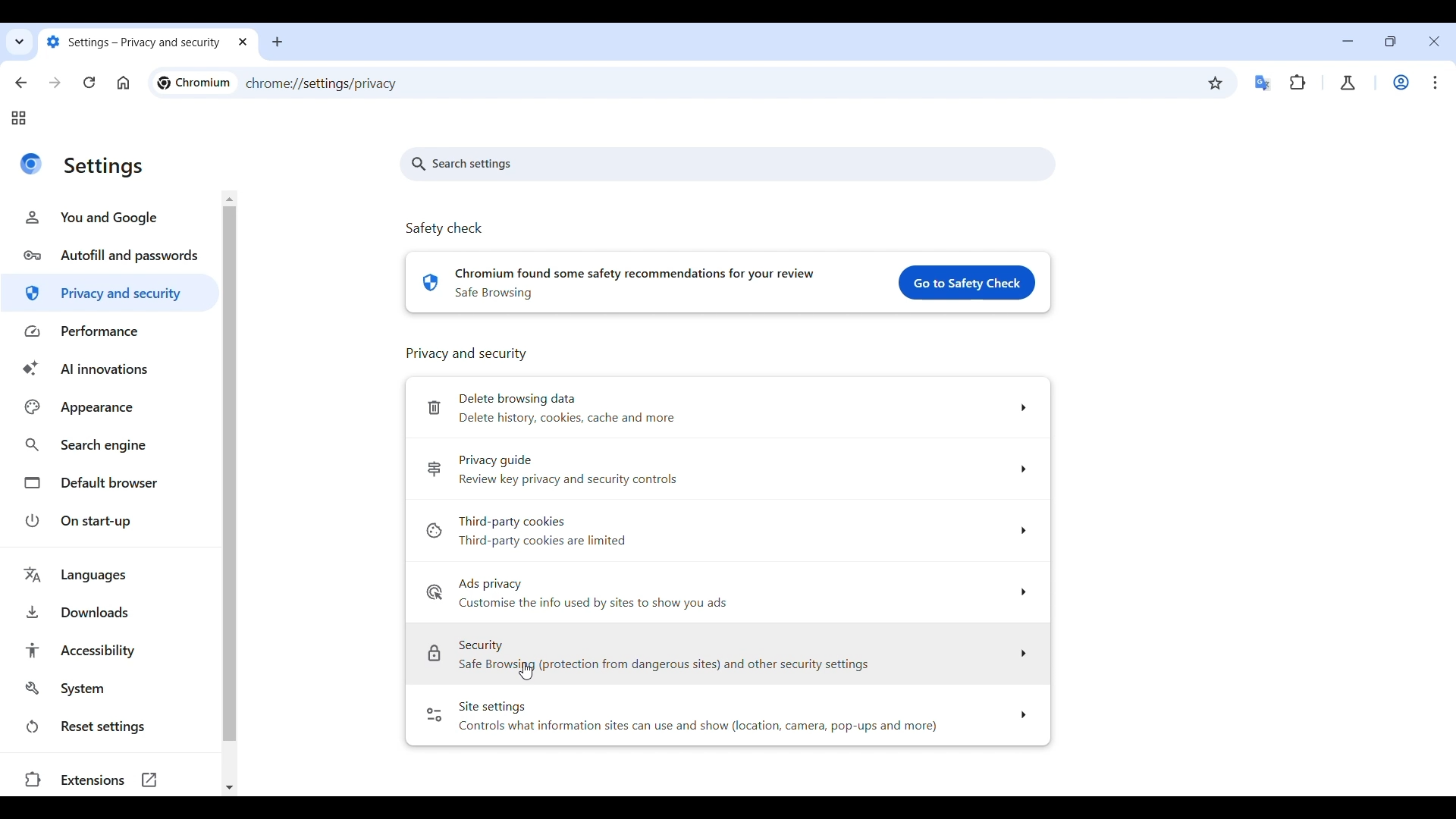  Describe the element at coordinates (104, 167) in the screenshot. I see `settings` at that location.